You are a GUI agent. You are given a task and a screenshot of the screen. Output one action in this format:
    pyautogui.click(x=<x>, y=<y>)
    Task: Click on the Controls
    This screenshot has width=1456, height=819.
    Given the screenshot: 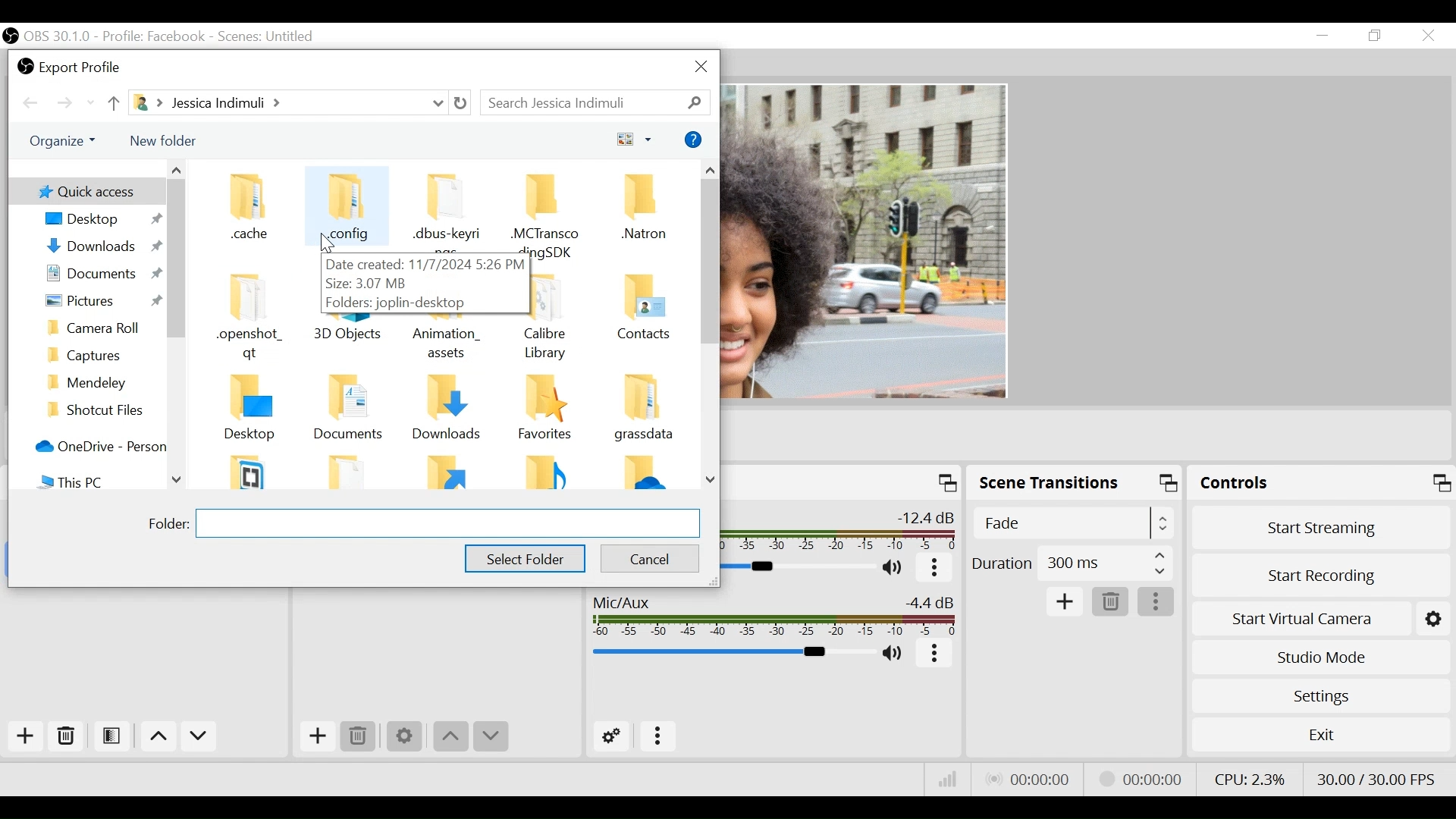 What is the action you would take?
    pyautogui.click(x=1322, y=483)
    